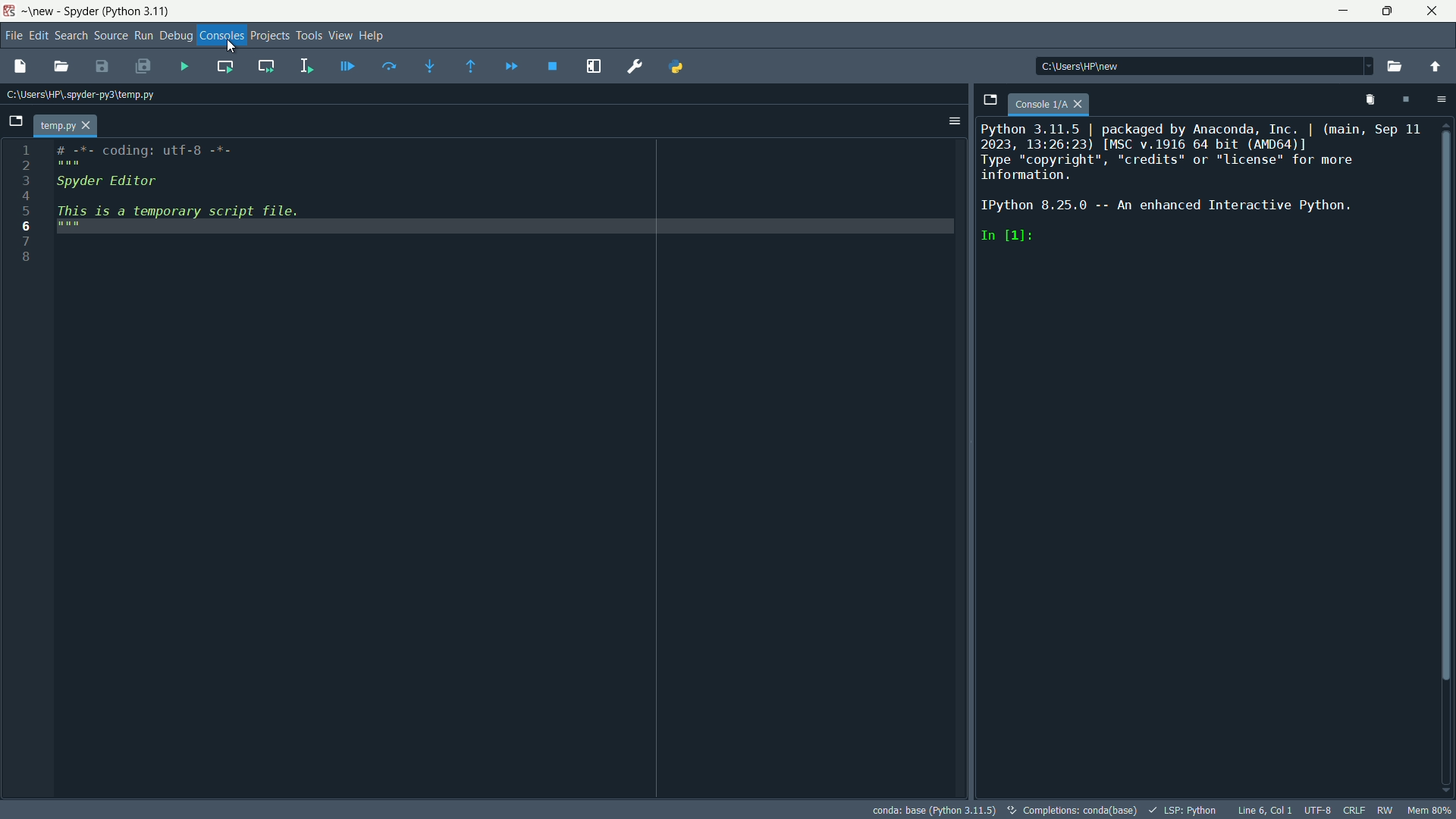 Image resolution: width=1456 pixels, height=819 pixels. What do you see at coordinates (89, 127) in the screenshot?
I see `close` at bounding box center [89, 127].